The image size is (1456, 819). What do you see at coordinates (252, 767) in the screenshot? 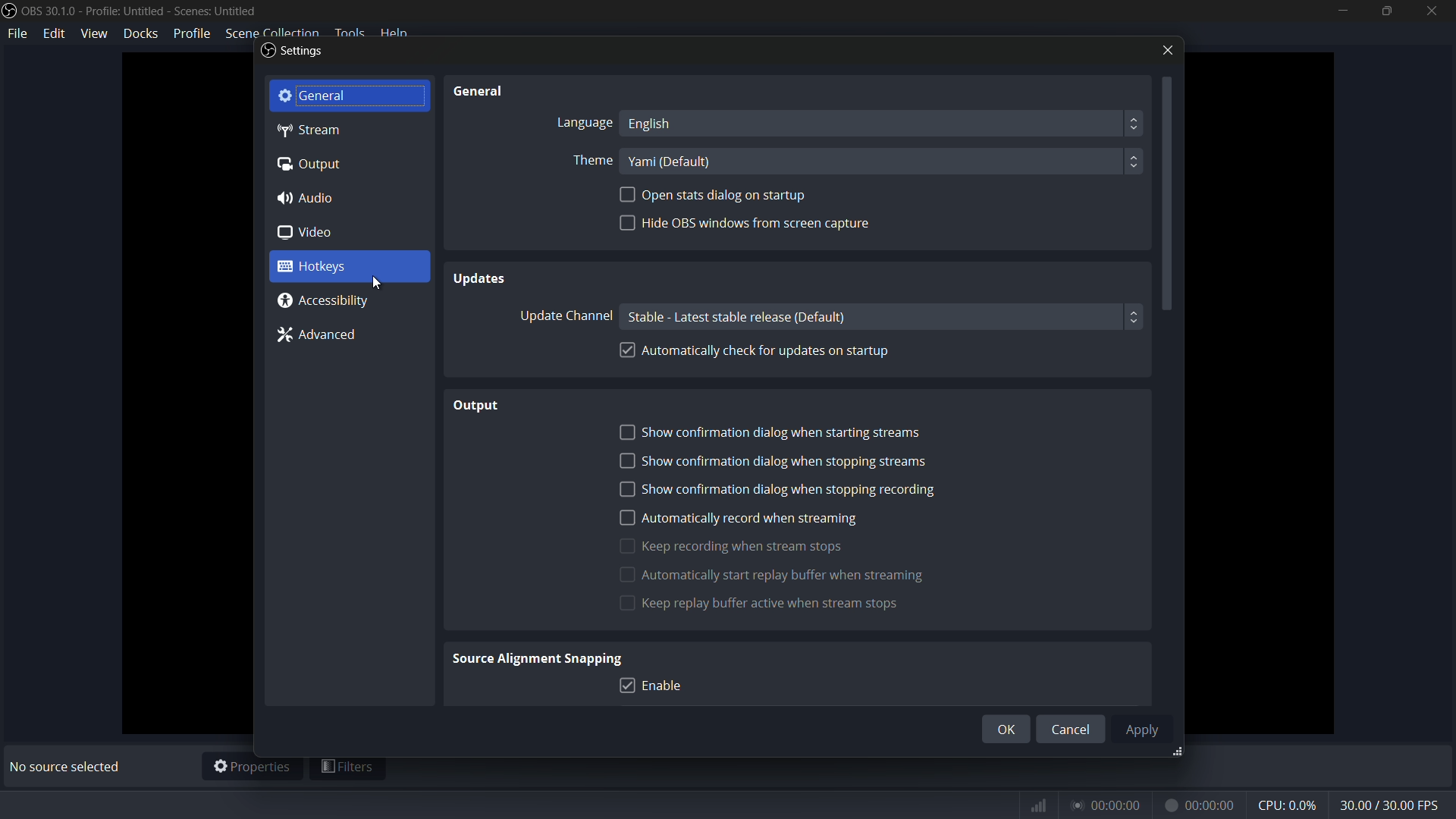
I see `properties` at bounding box center [252, 767].